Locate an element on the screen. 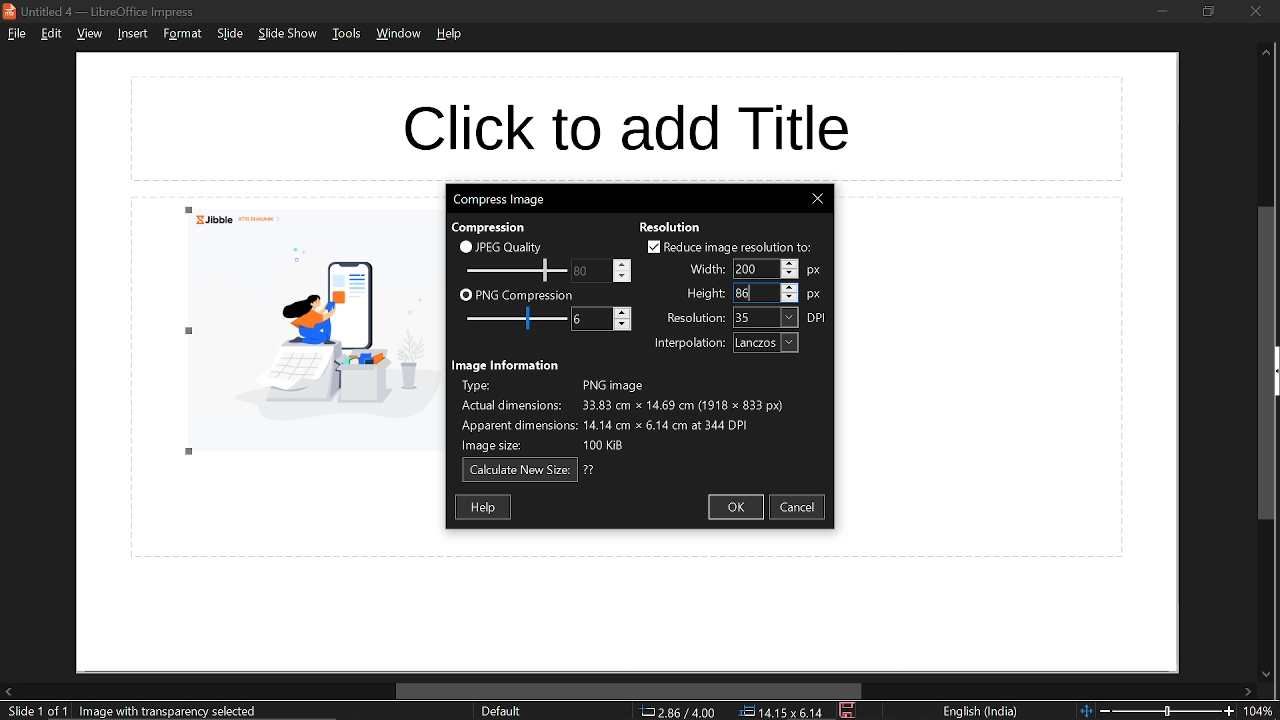 This screenshot has height=720, width=1280. tools is located at coordinates (346, 33).